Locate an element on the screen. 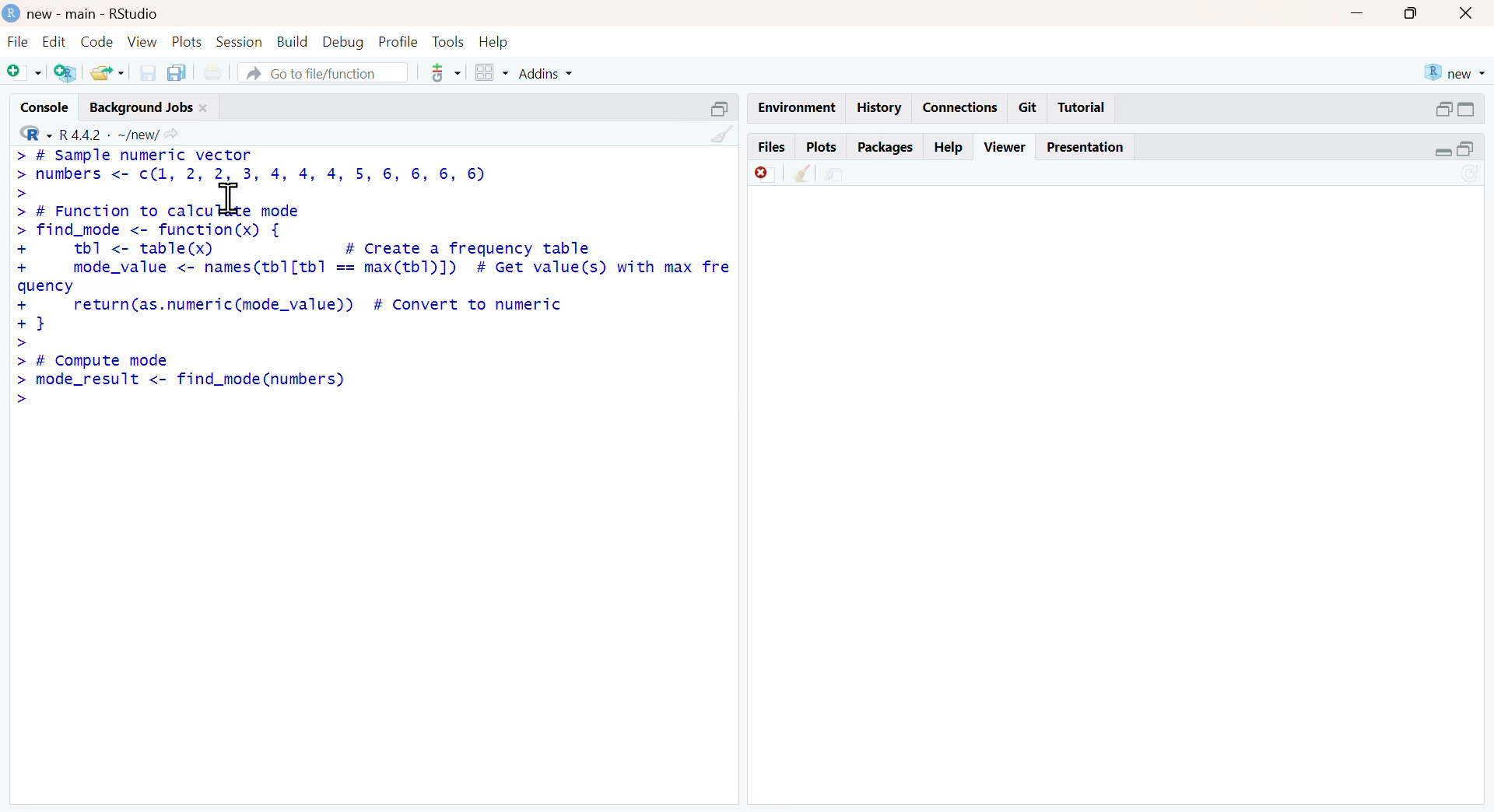  logo is located at coordinates (13, 12).